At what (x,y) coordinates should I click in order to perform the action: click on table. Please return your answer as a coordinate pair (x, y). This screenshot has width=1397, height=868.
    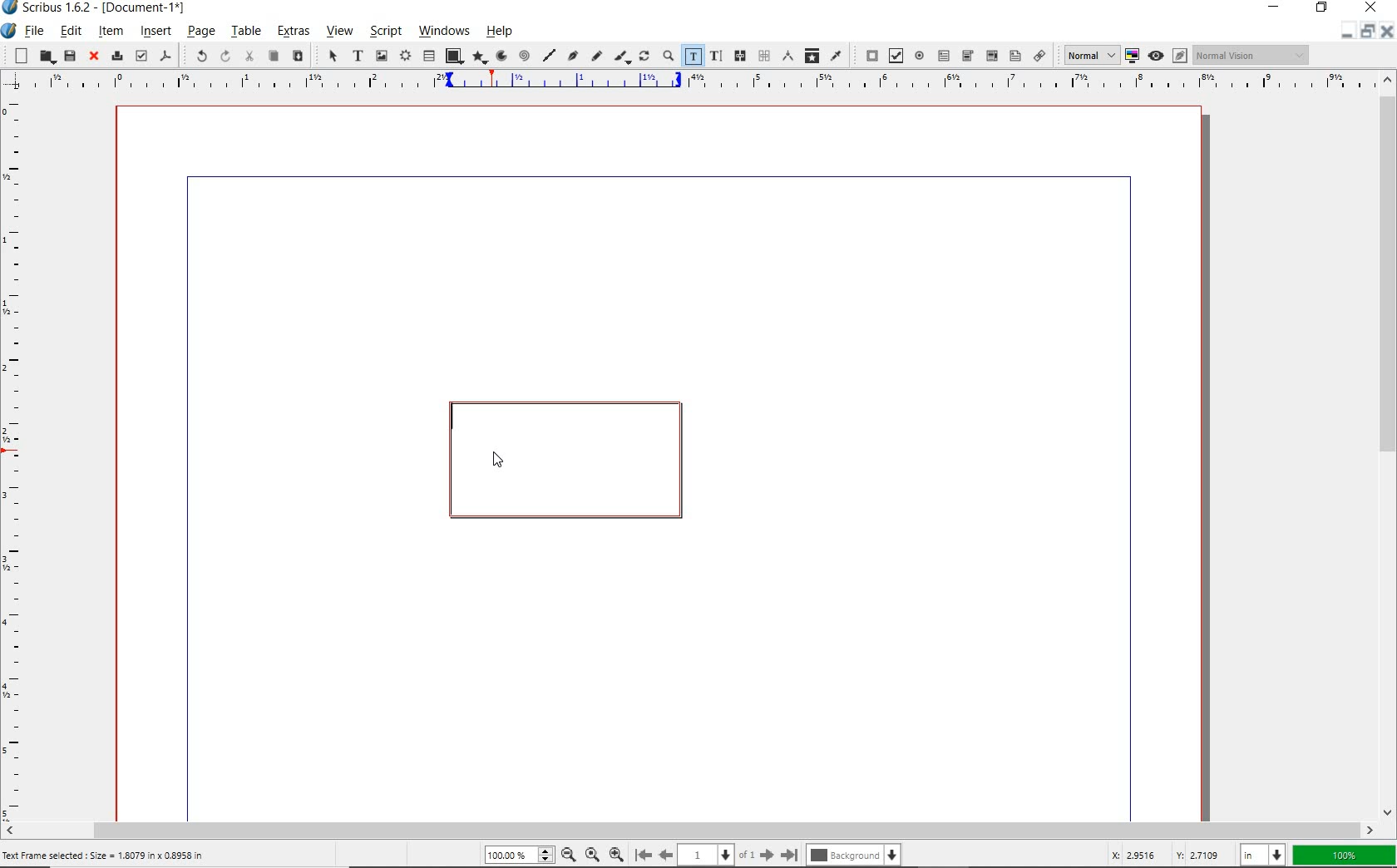
    Looking at the image, I should click on (246, 32).